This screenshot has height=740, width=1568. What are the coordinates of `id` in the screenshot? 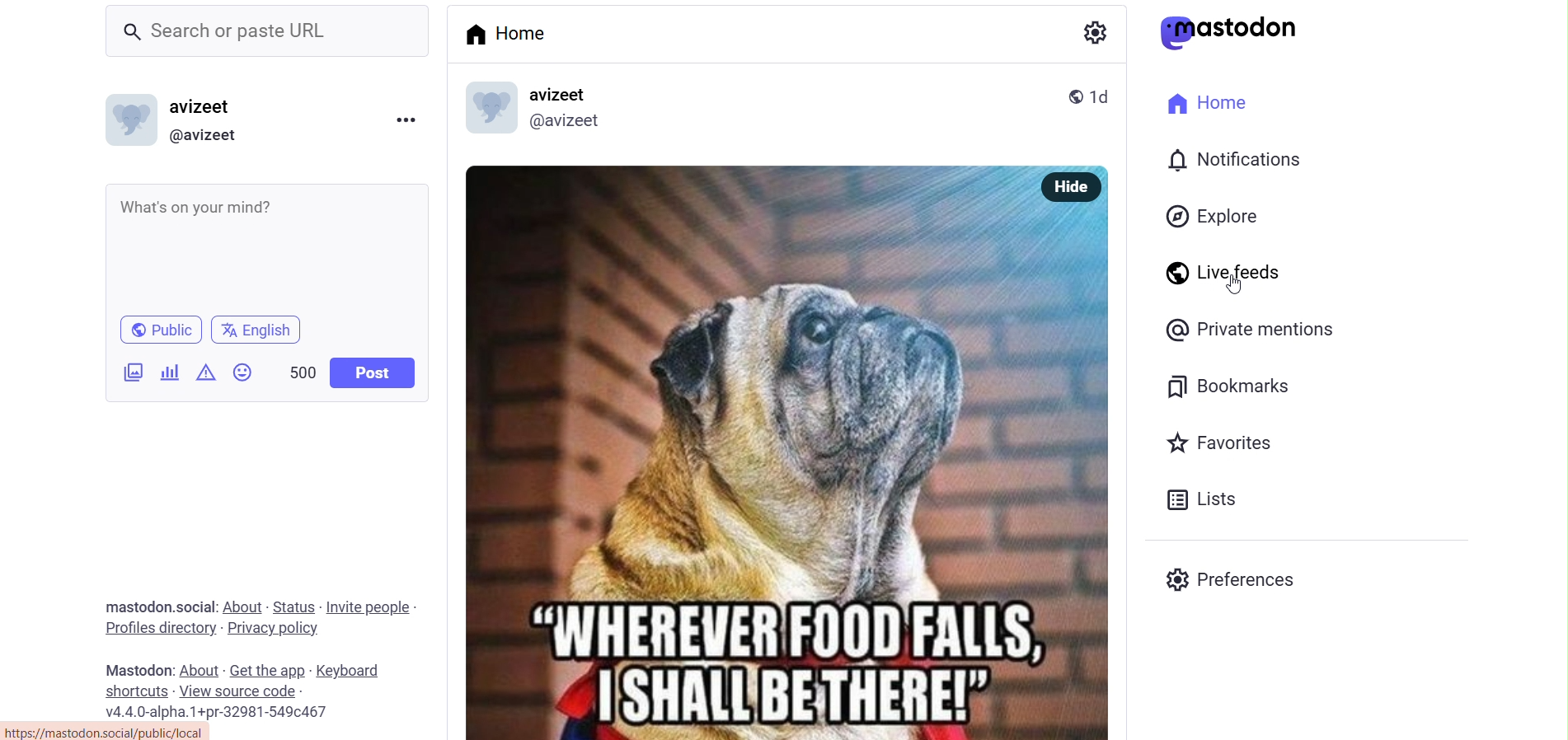 It's located at (564, 123).